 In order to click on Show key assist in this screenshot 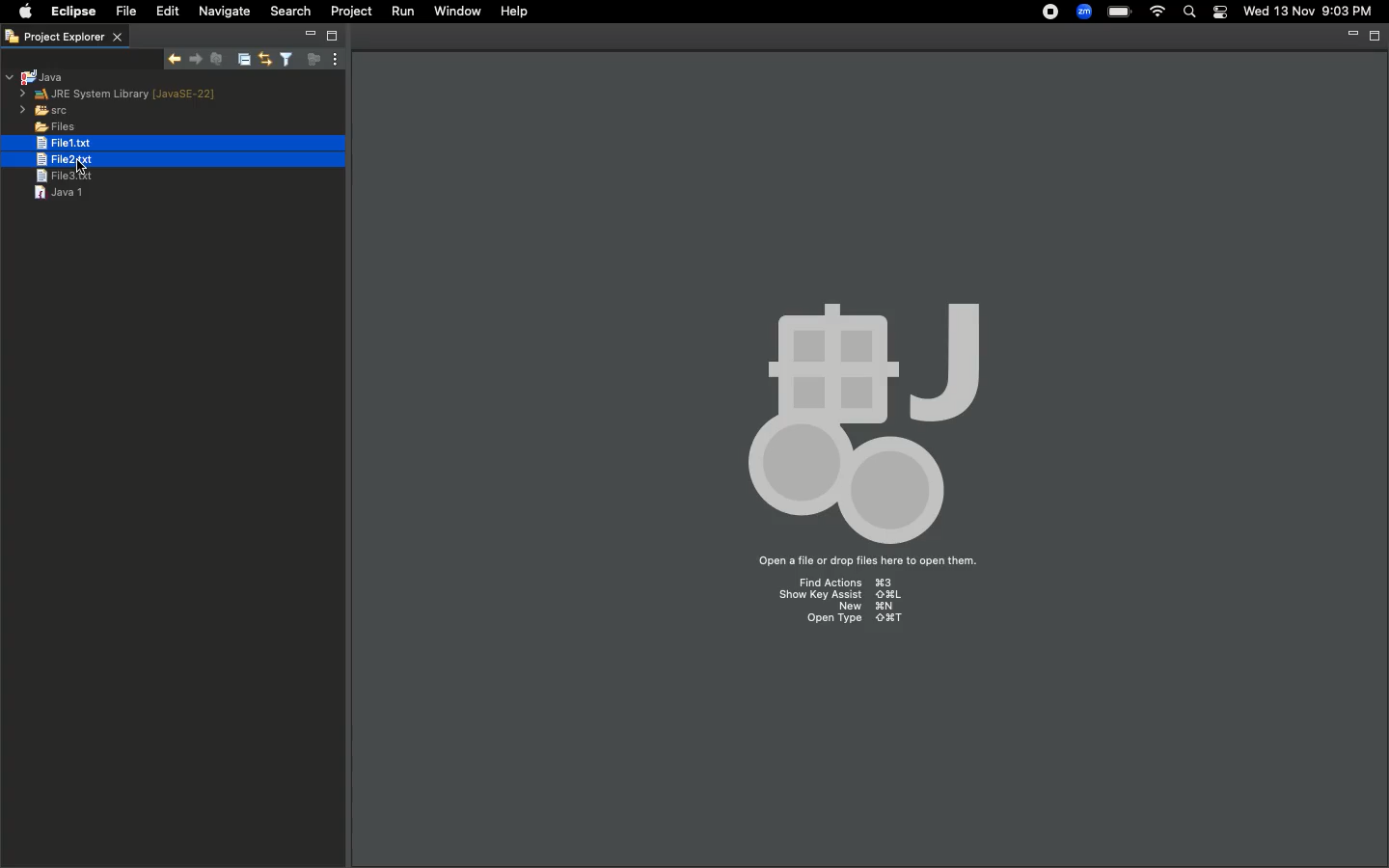, I will do `click(840, 596)`.